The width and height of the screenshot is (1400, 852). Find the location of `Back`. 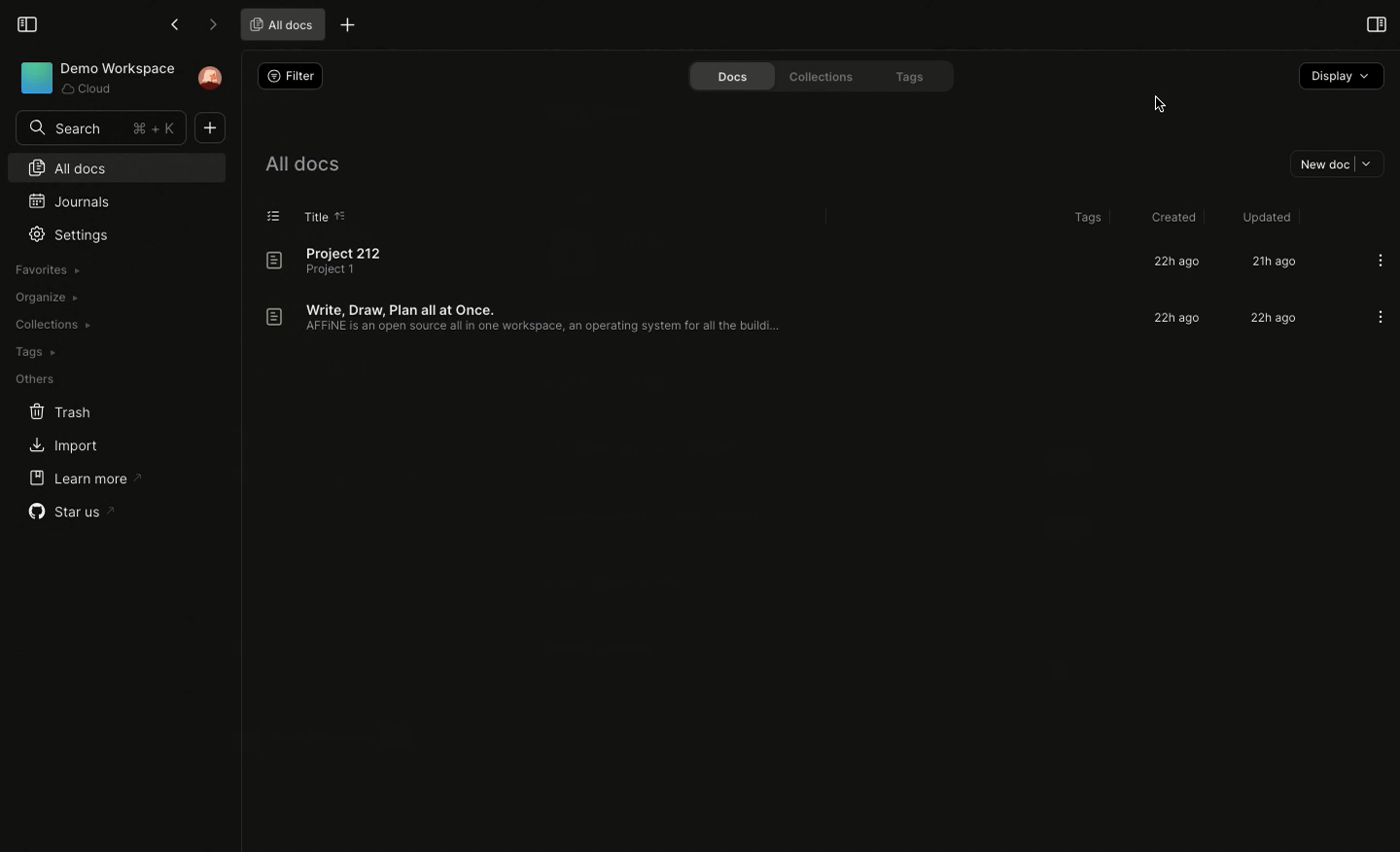

Back is located at coordinates (174, 24).